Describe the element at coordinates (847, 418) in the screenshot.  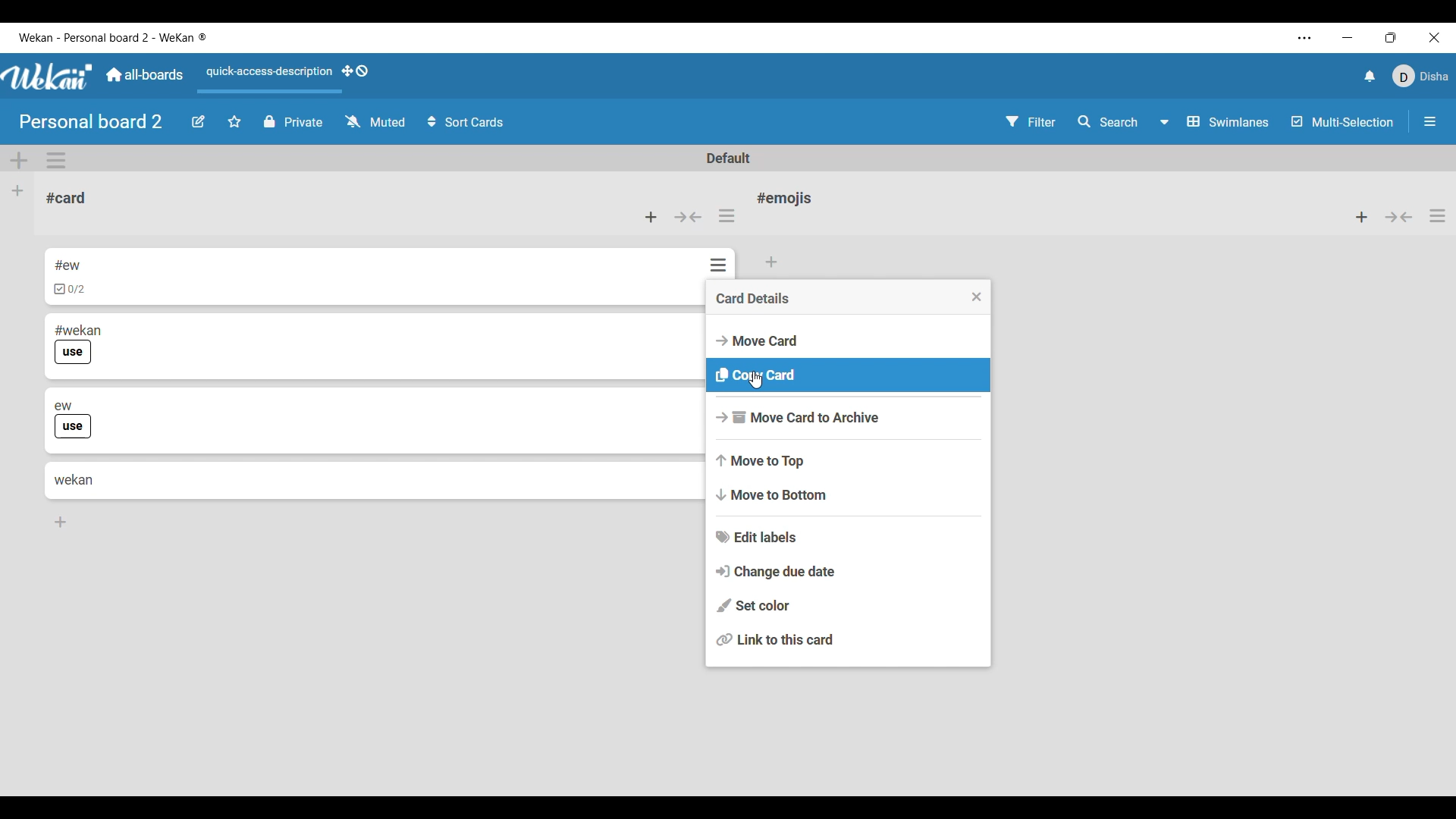
I see `Move card to archive` at that location.